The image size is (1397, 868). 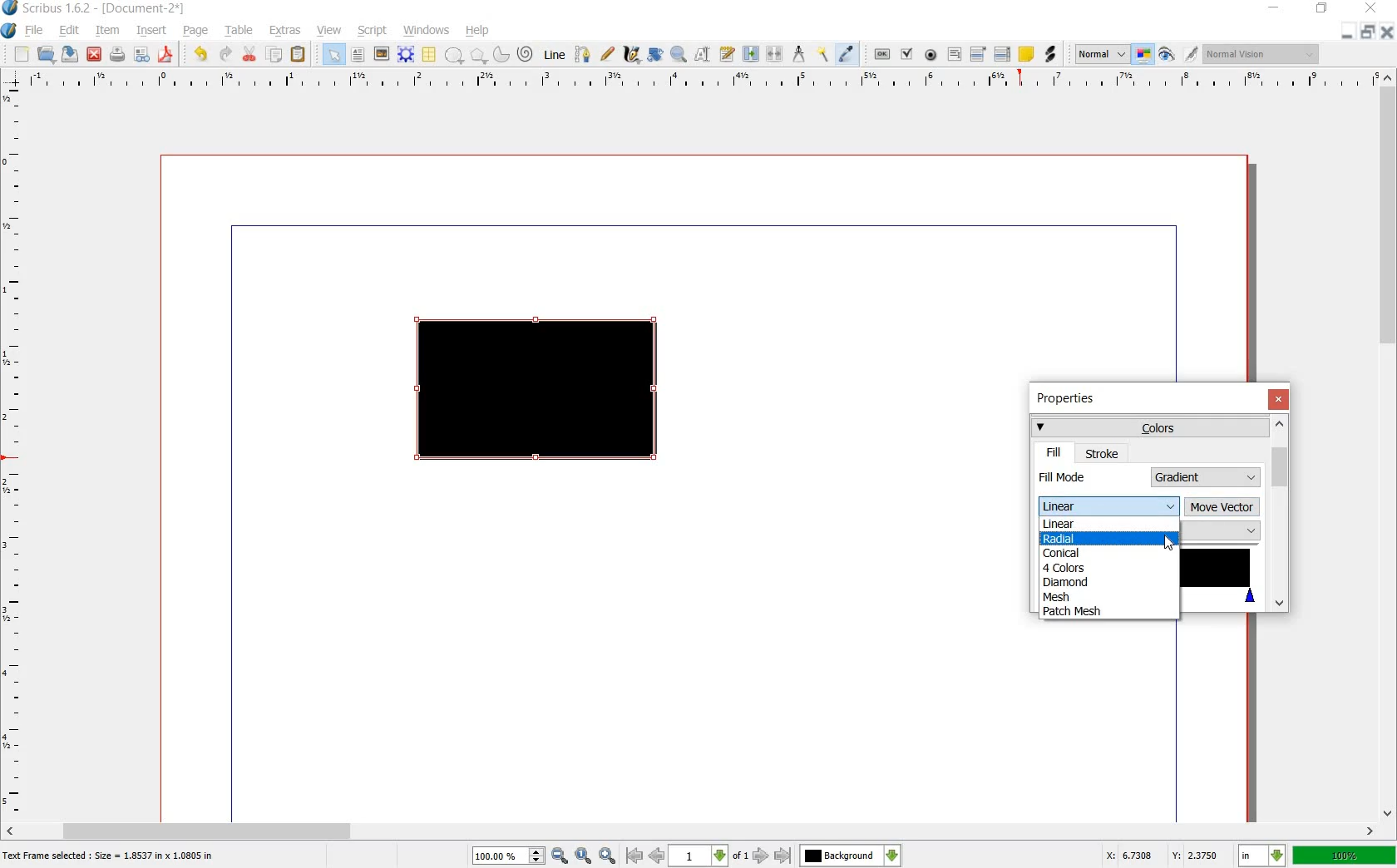 What do you see at coordinates (357, 55) in the screenshot?
I see `text frame` at bounding box center [357, 55].